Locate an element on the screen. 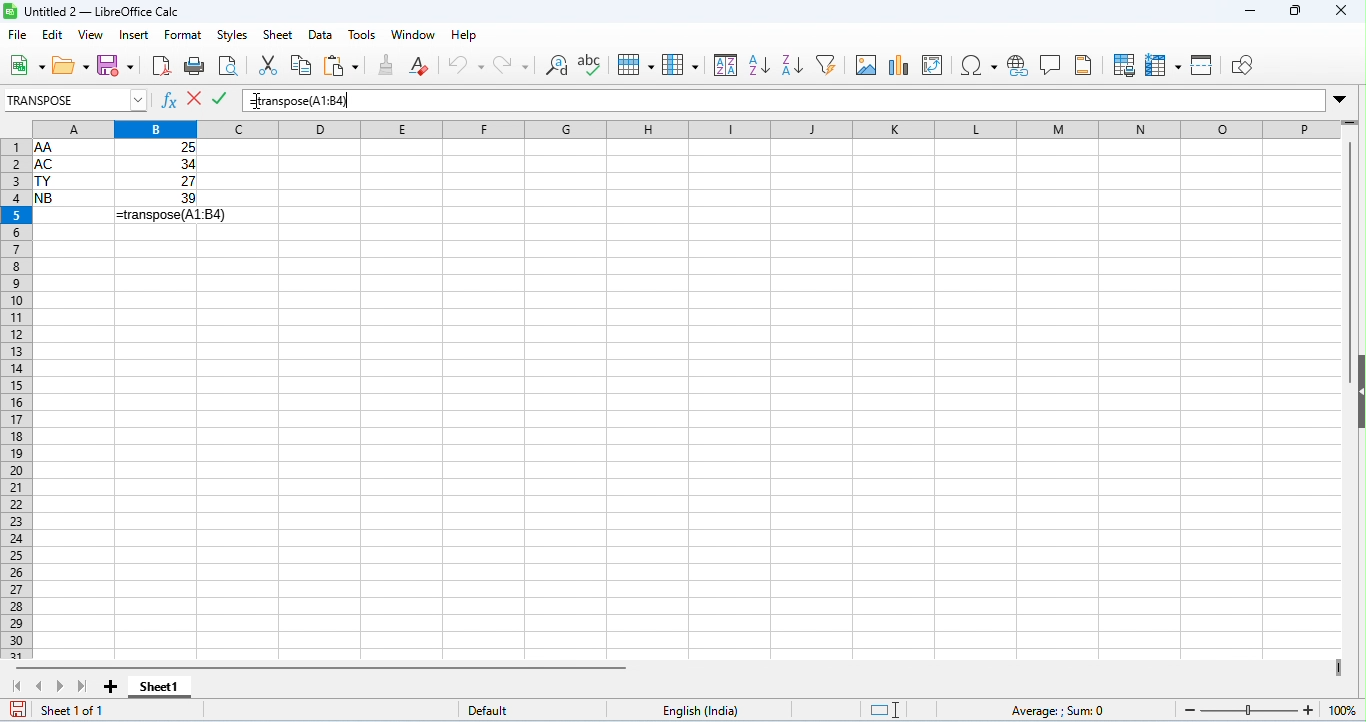  show draw functions is located at coordinates (1242, 65).